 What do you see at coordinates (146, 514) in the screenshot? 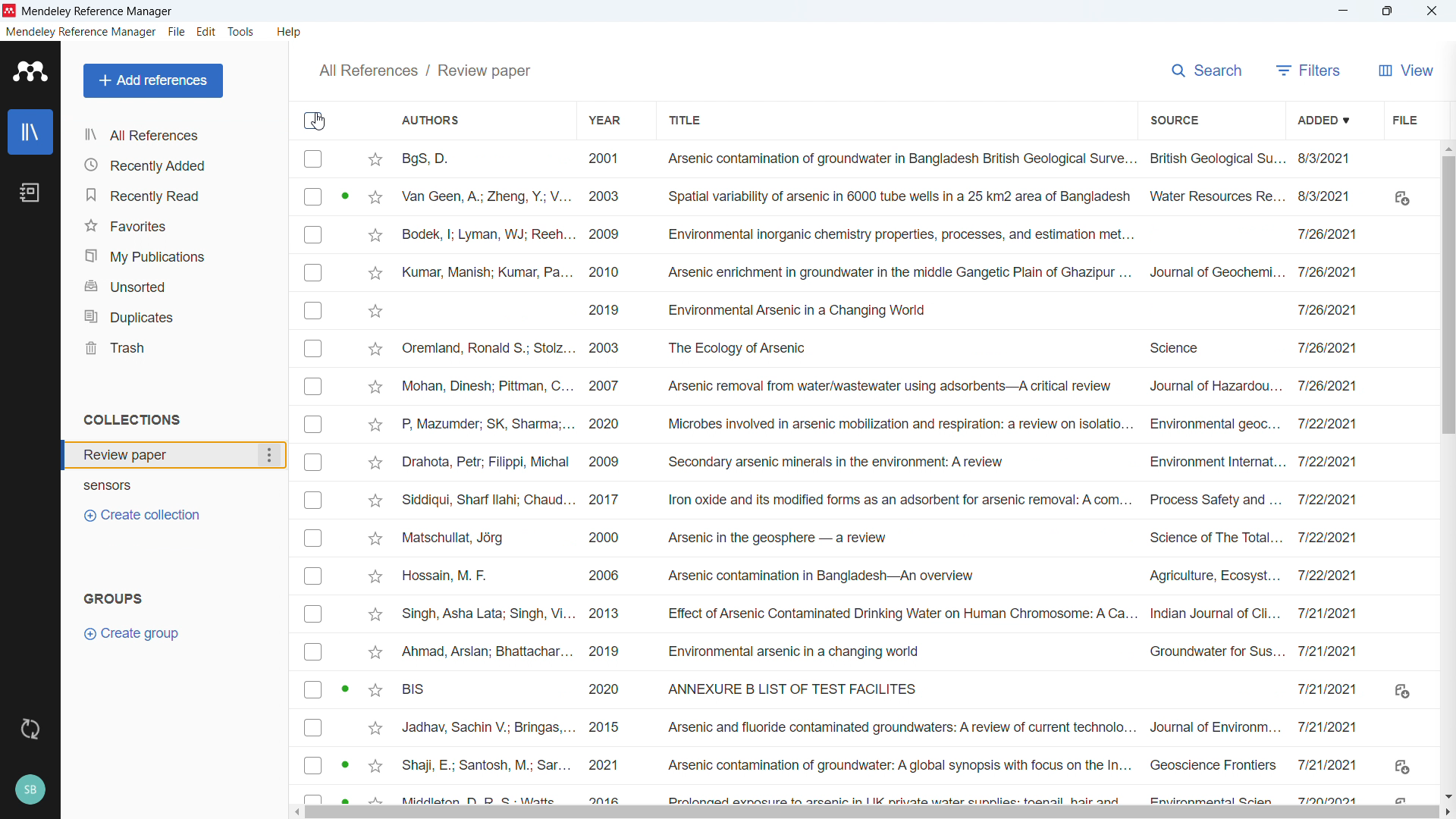
I see `Create collection ` at bounding box center [146, 514].